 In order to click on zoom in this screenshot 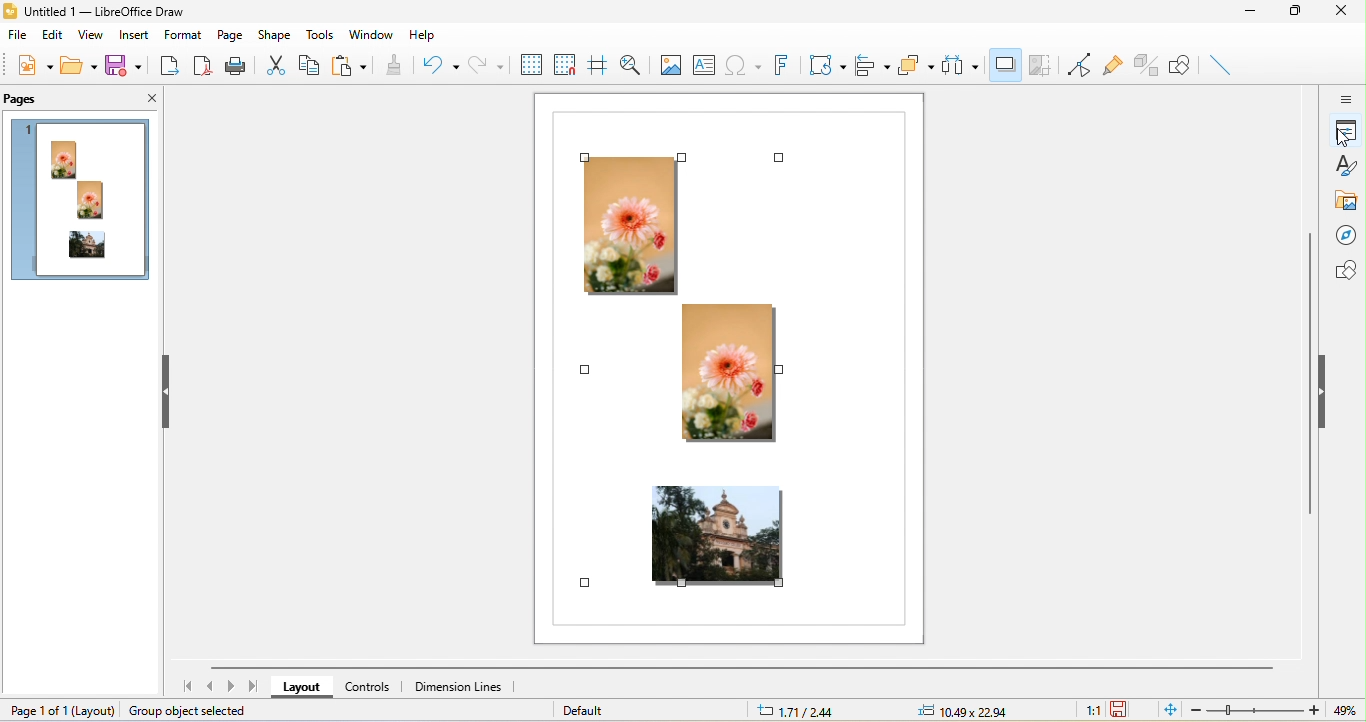, I will do `click(1257, 710)`.